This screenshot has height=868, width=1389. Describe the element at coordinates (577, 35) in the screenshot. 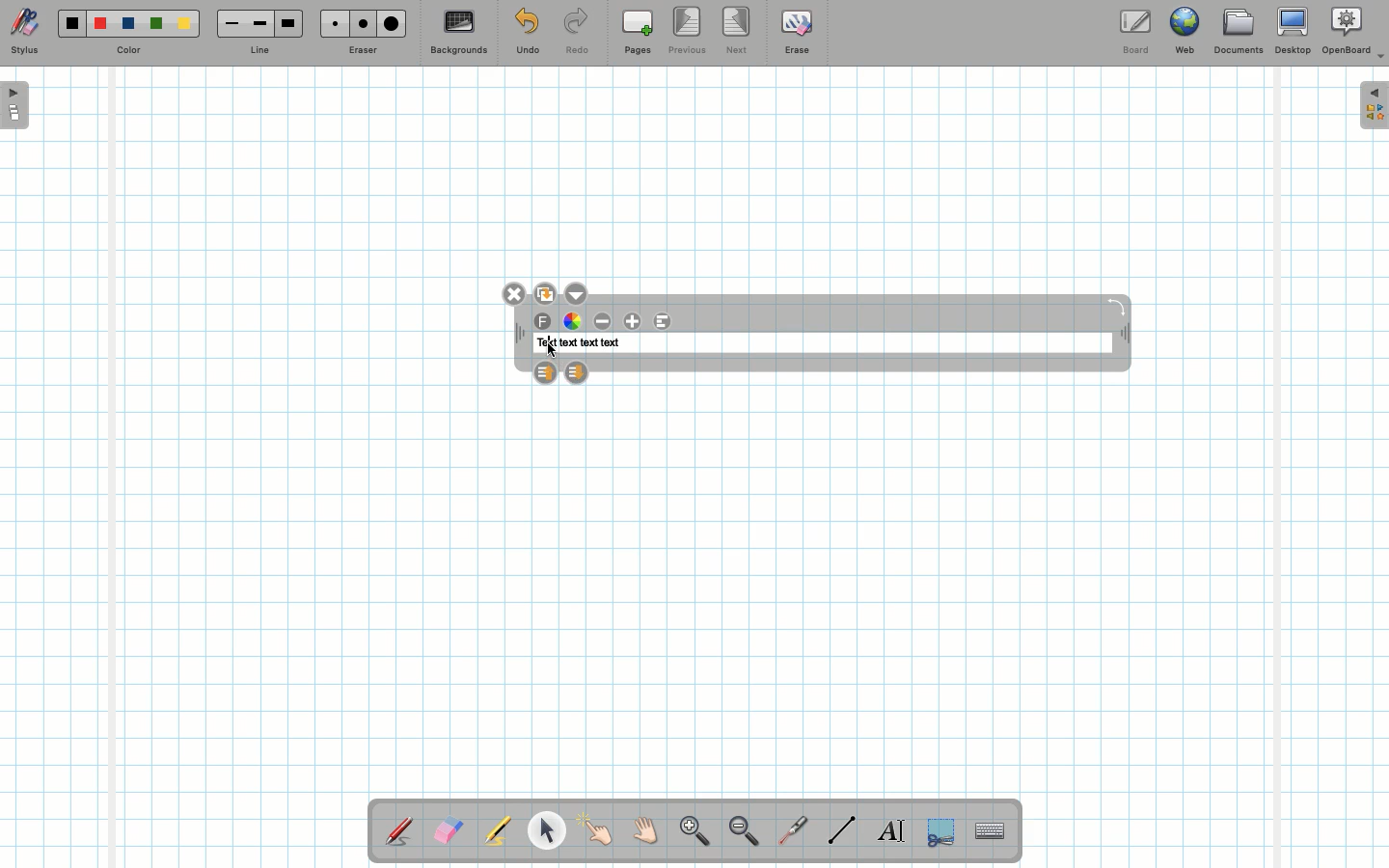

I see `Redo` at that location.